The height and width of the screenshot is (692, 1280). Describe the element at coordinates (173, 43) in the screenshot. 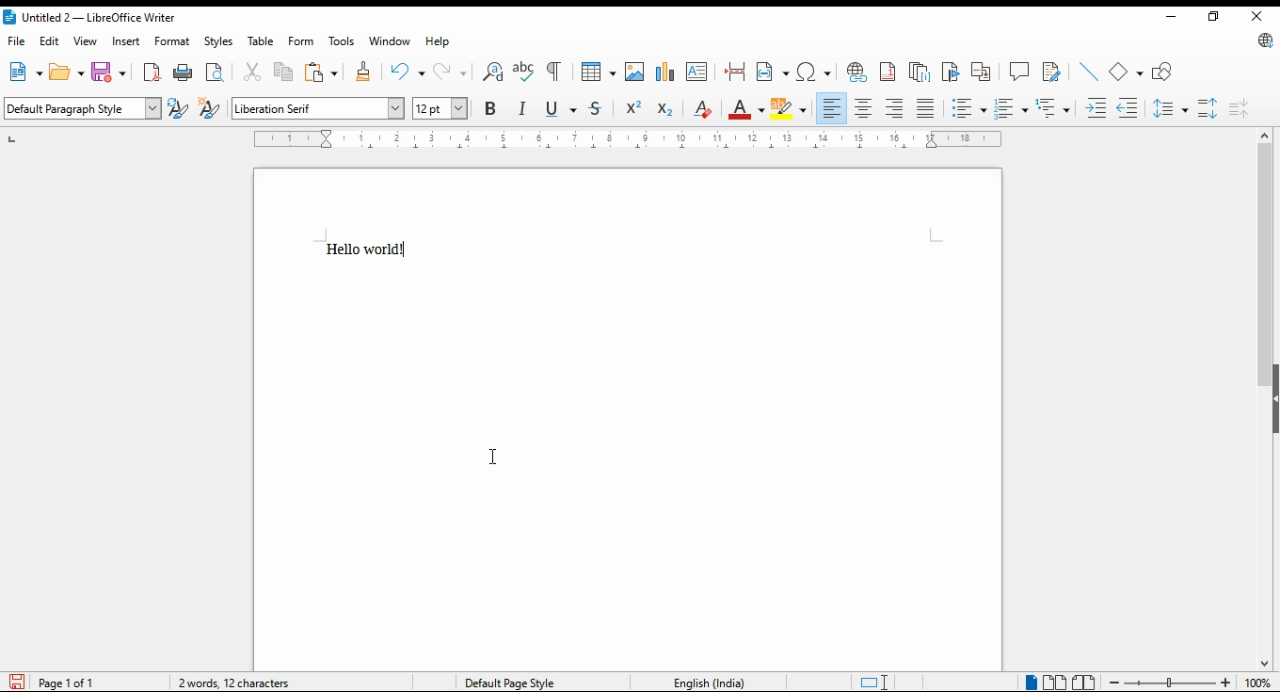

I see `format` at that location.